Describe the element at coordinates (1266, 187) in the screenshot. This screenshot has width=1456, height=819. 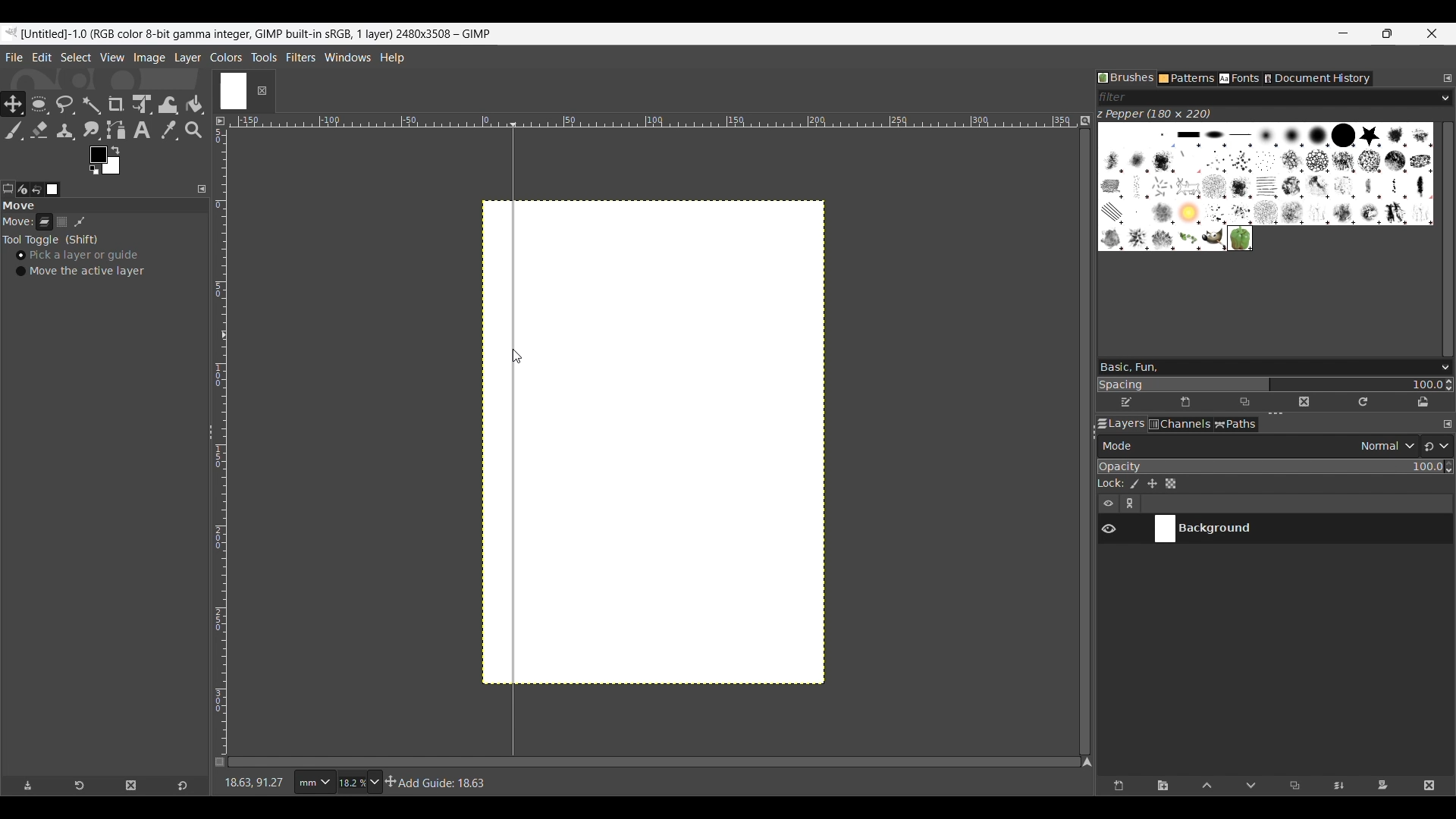
I see `Current brush options` at that location.